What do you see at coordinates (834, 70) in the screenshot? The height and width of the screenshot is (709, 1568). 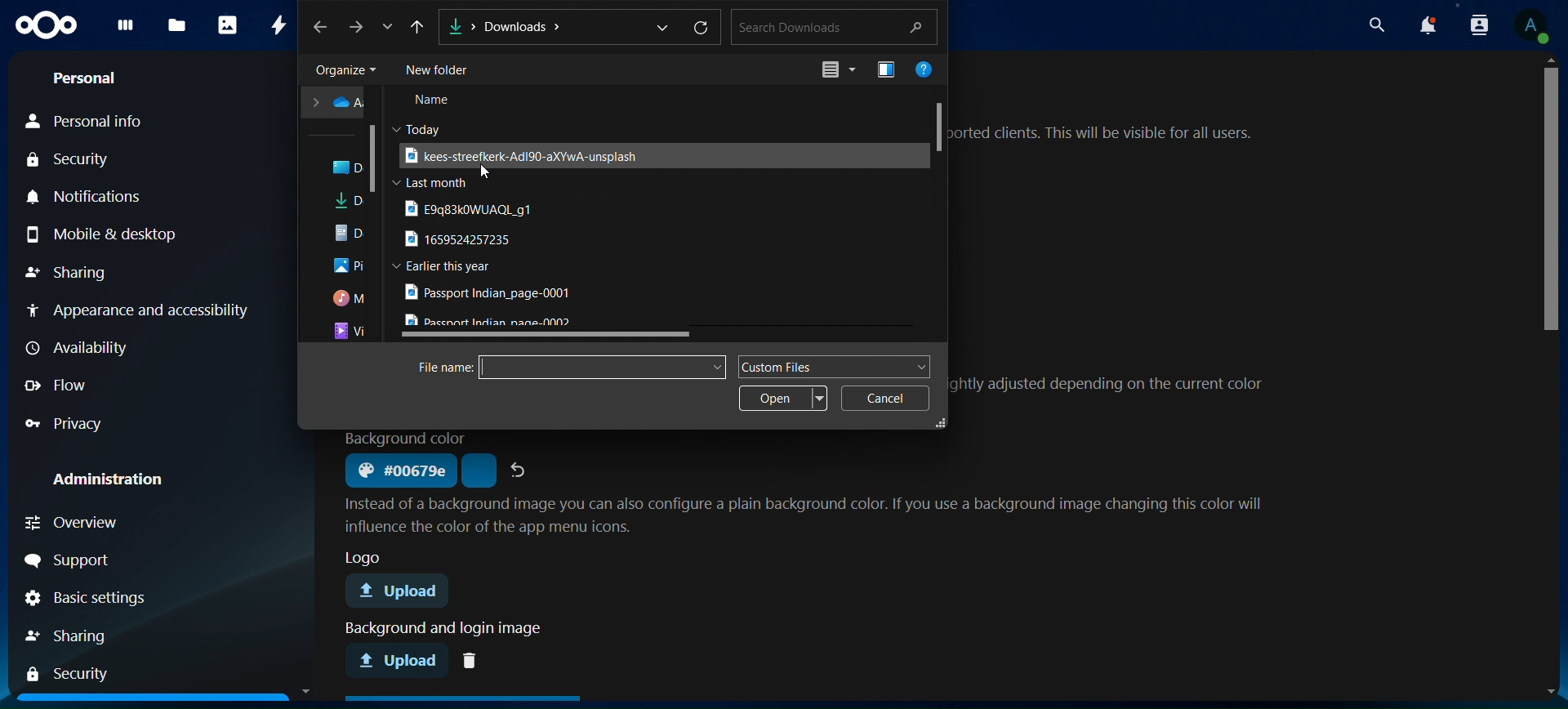 I see `icon` at bounding box center [834, 70].